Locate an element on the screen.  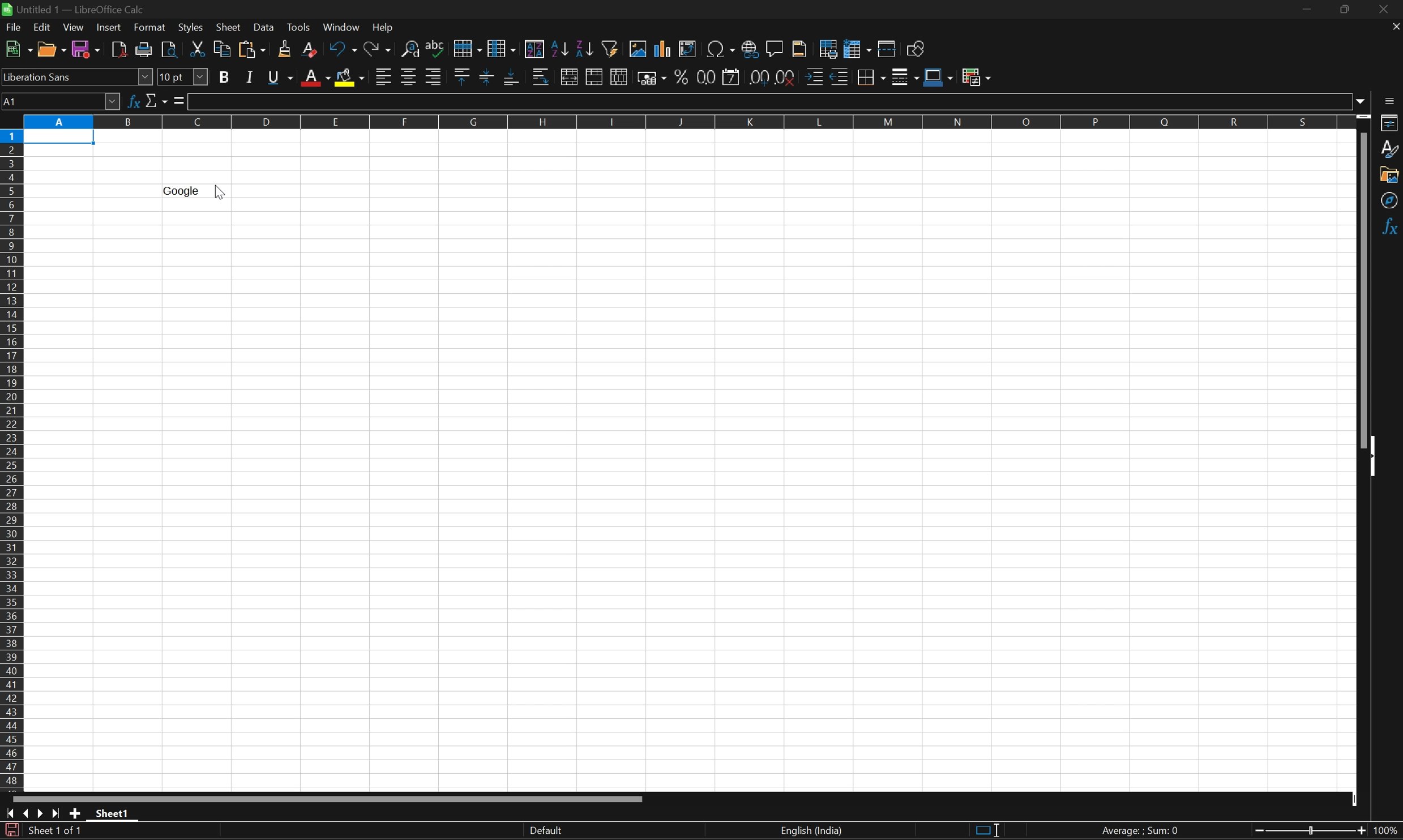
Sidebar settings is located at coordinates (1391, 100).